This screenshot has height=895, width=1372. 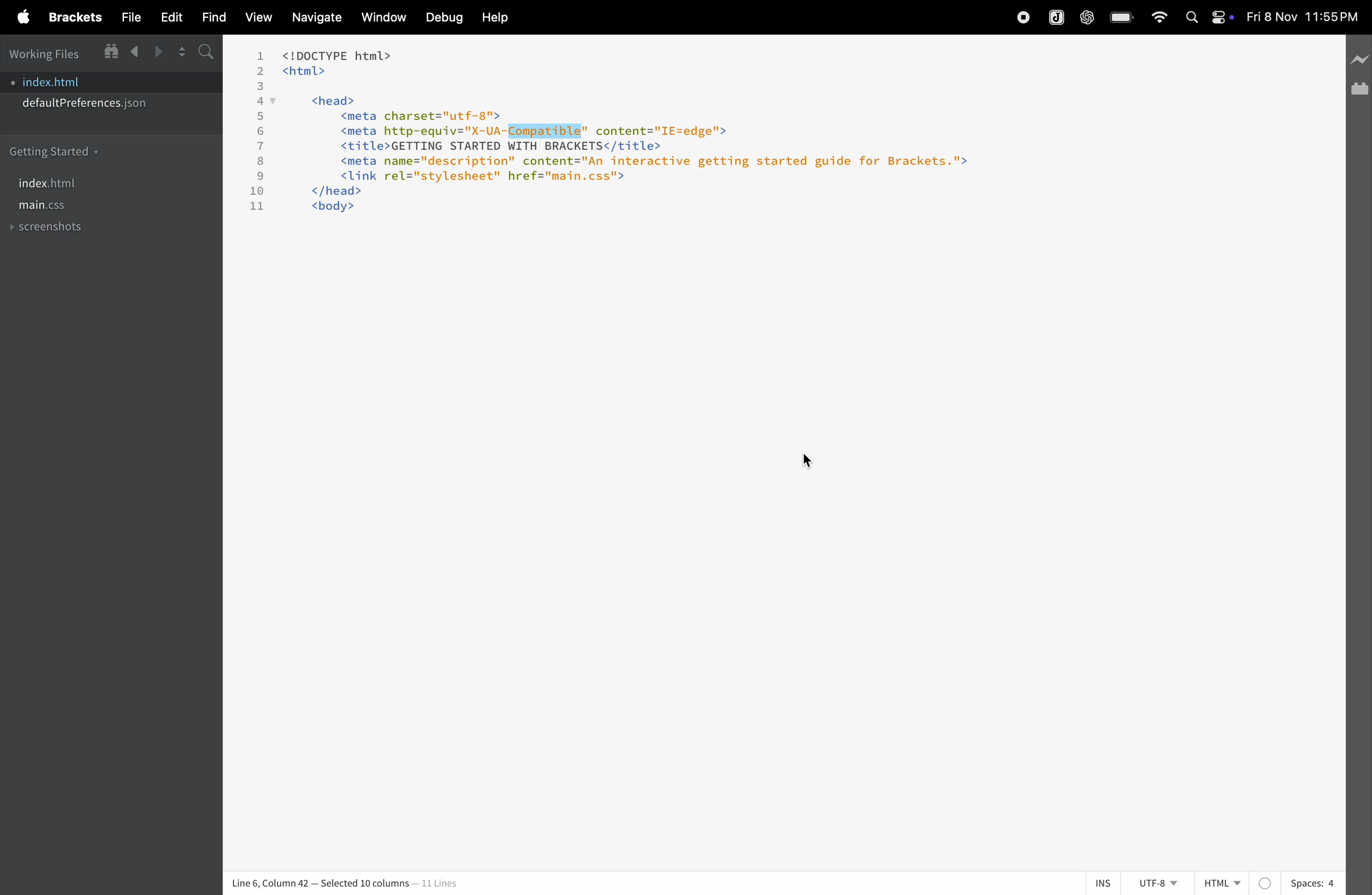 What do you see at coordinates (50, 229) in the screenshot?
I see `screenshots` at bounding box center [50, 229].